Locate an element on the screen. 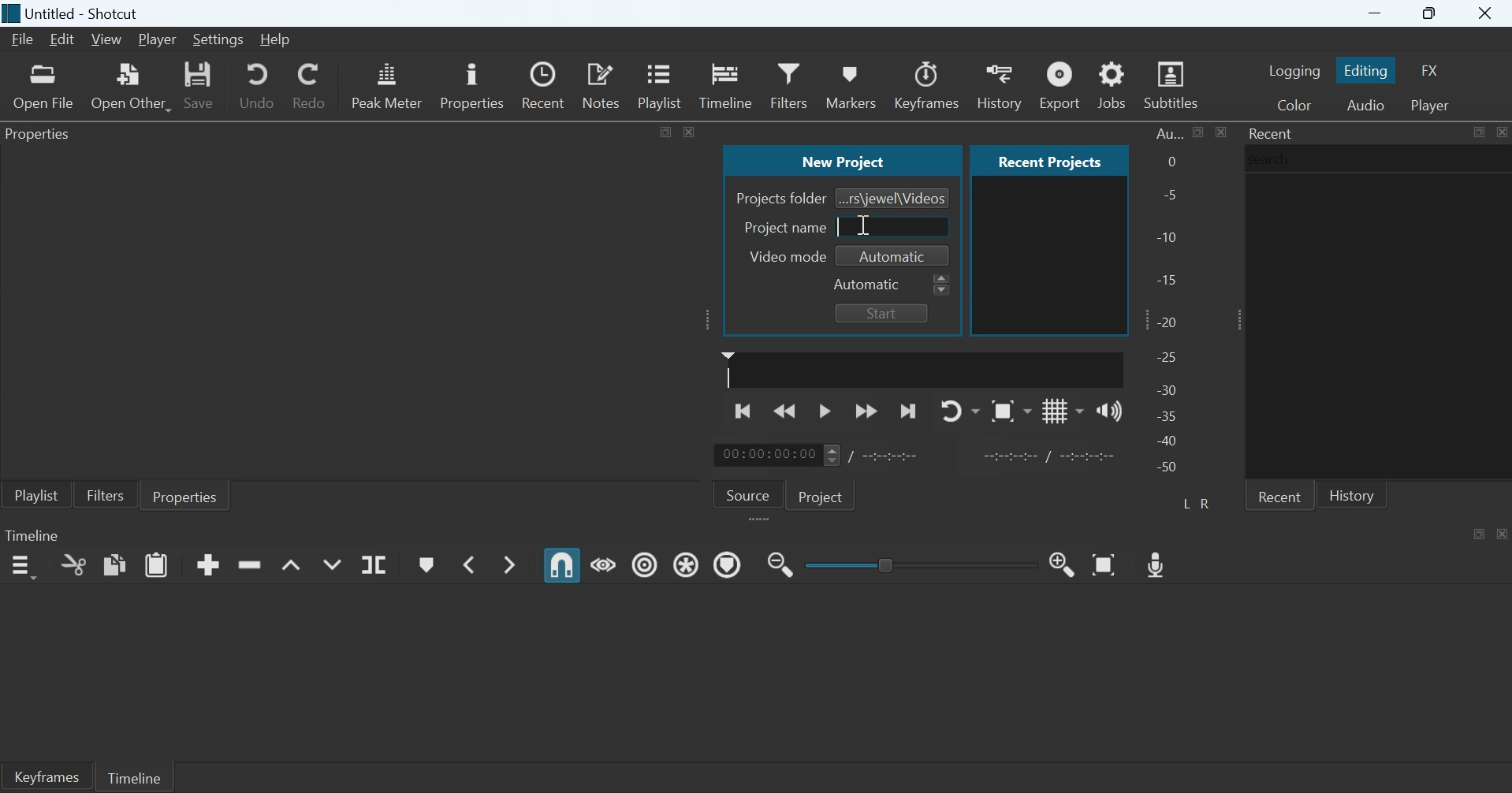 The image size is (1512, 793). Left is located at coordinates (1188, 502).